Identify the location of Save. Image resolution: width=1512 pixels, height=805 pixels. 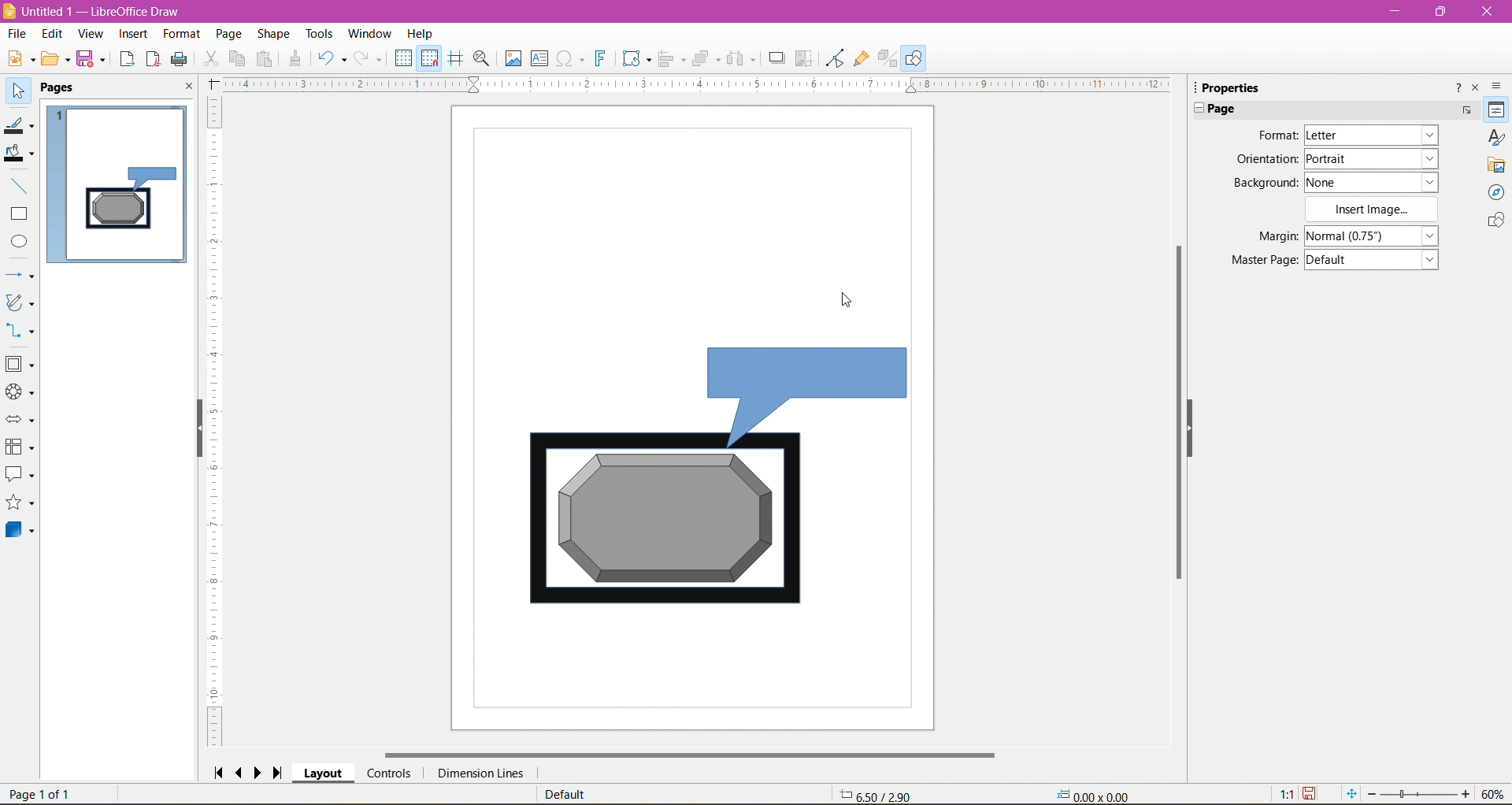
(94, 61).